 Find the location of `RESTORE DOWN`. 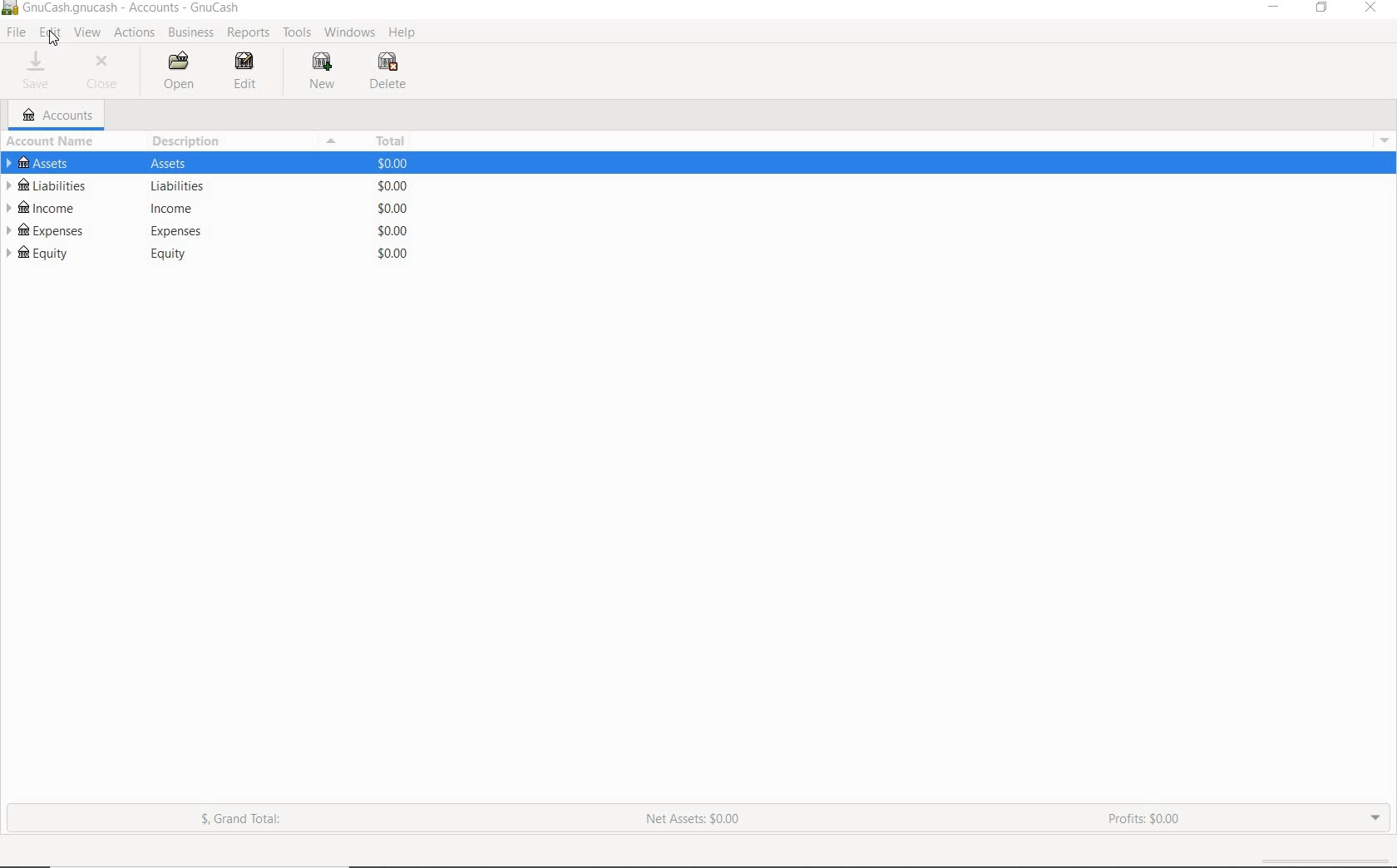

RESTORE DOWN is located at coordinates (1321, 11).